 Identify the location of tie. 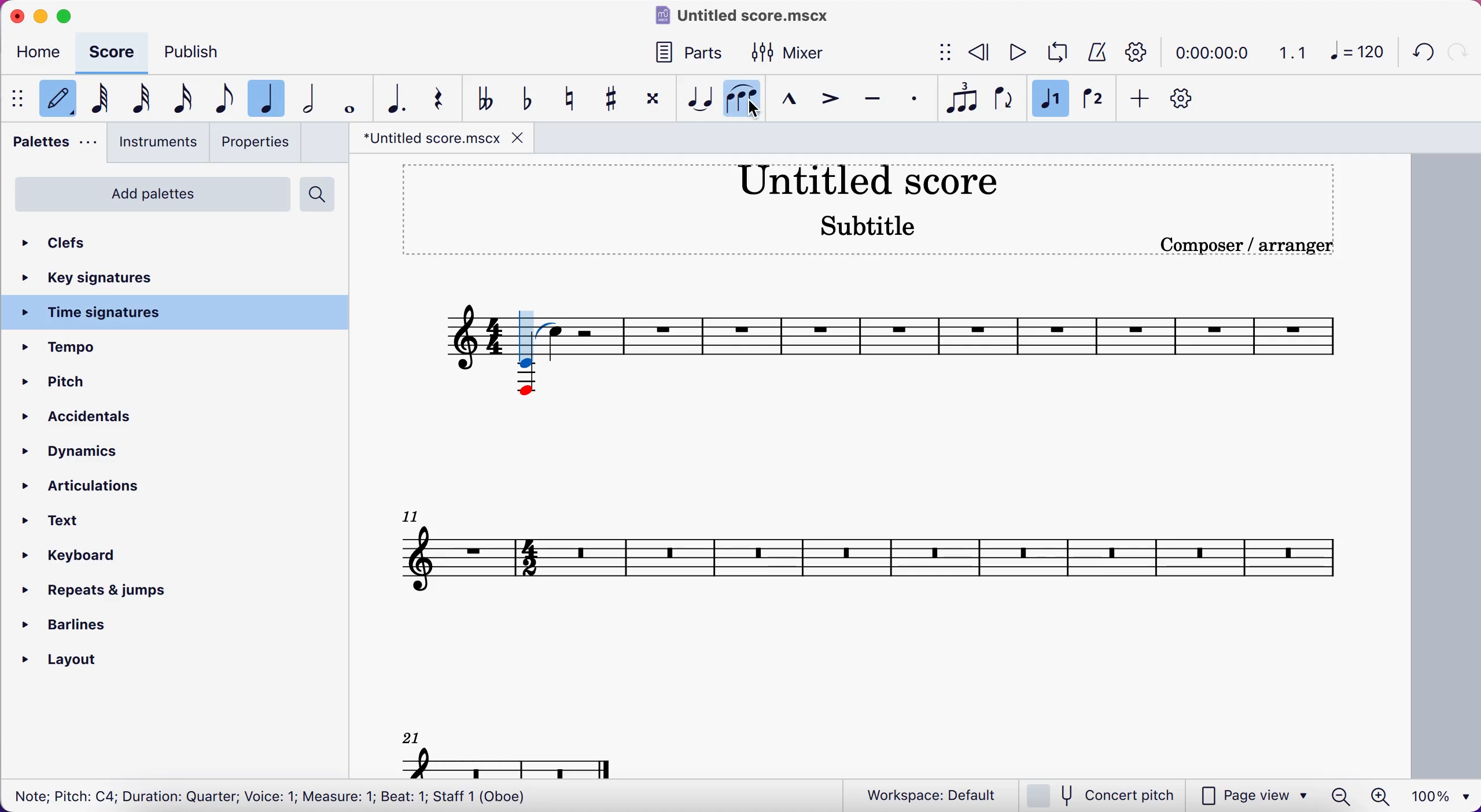
(697, 99).